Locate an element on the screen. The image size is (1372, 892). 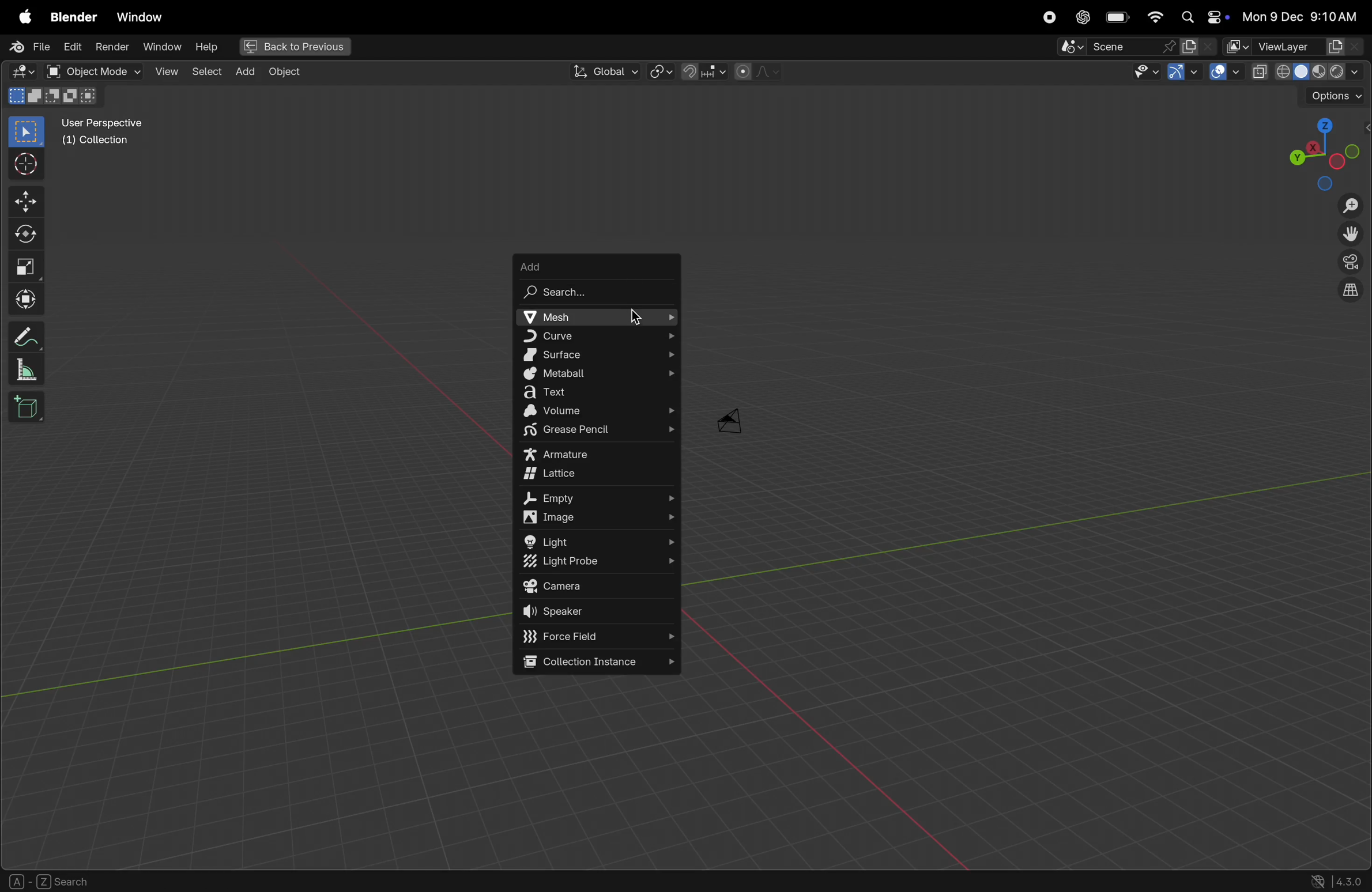
text is located at coordinates (599, 393).